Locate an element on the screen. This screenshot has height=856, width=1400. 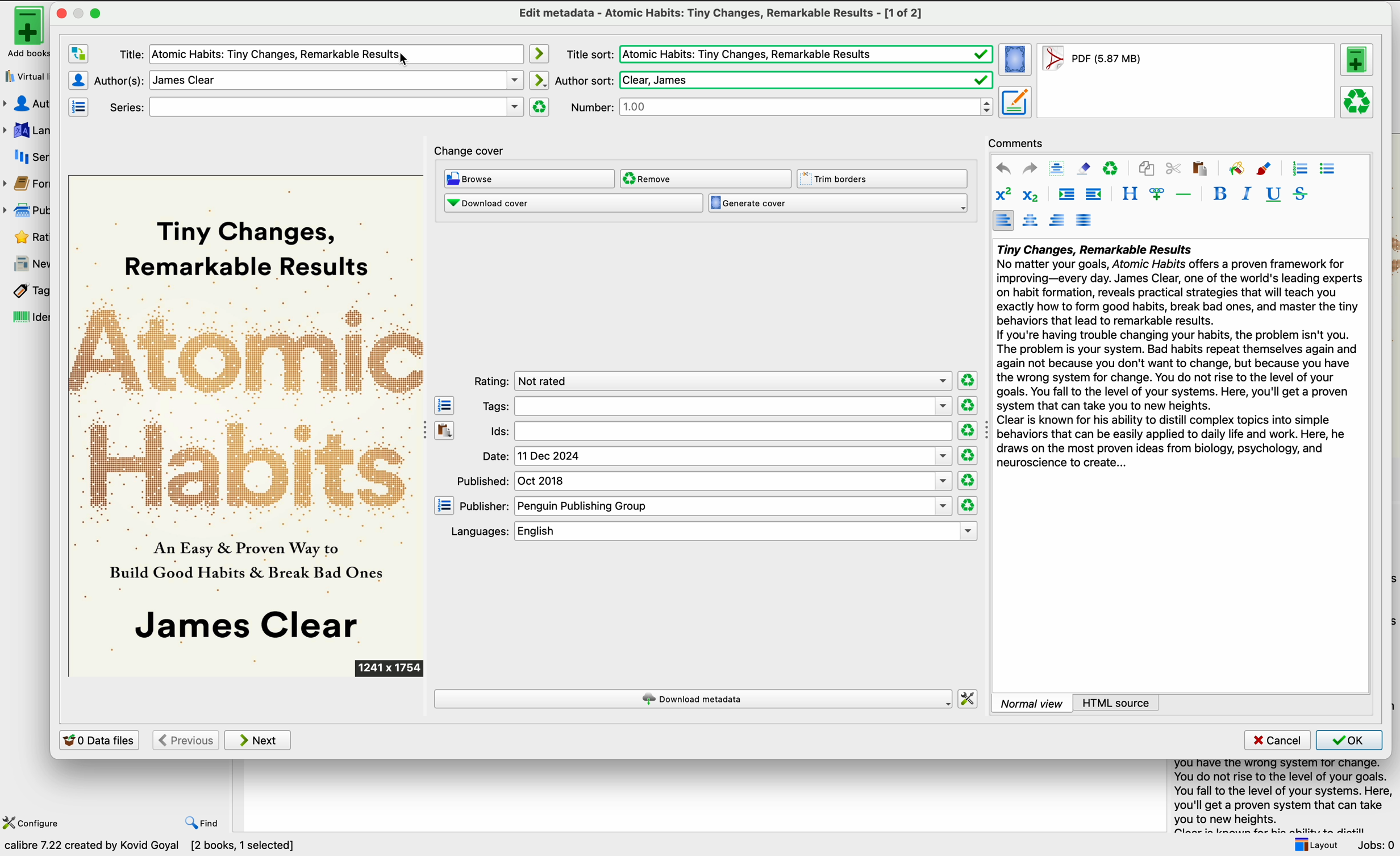
set metadata for the book from the selected format is located at coordinates (1015, 103).